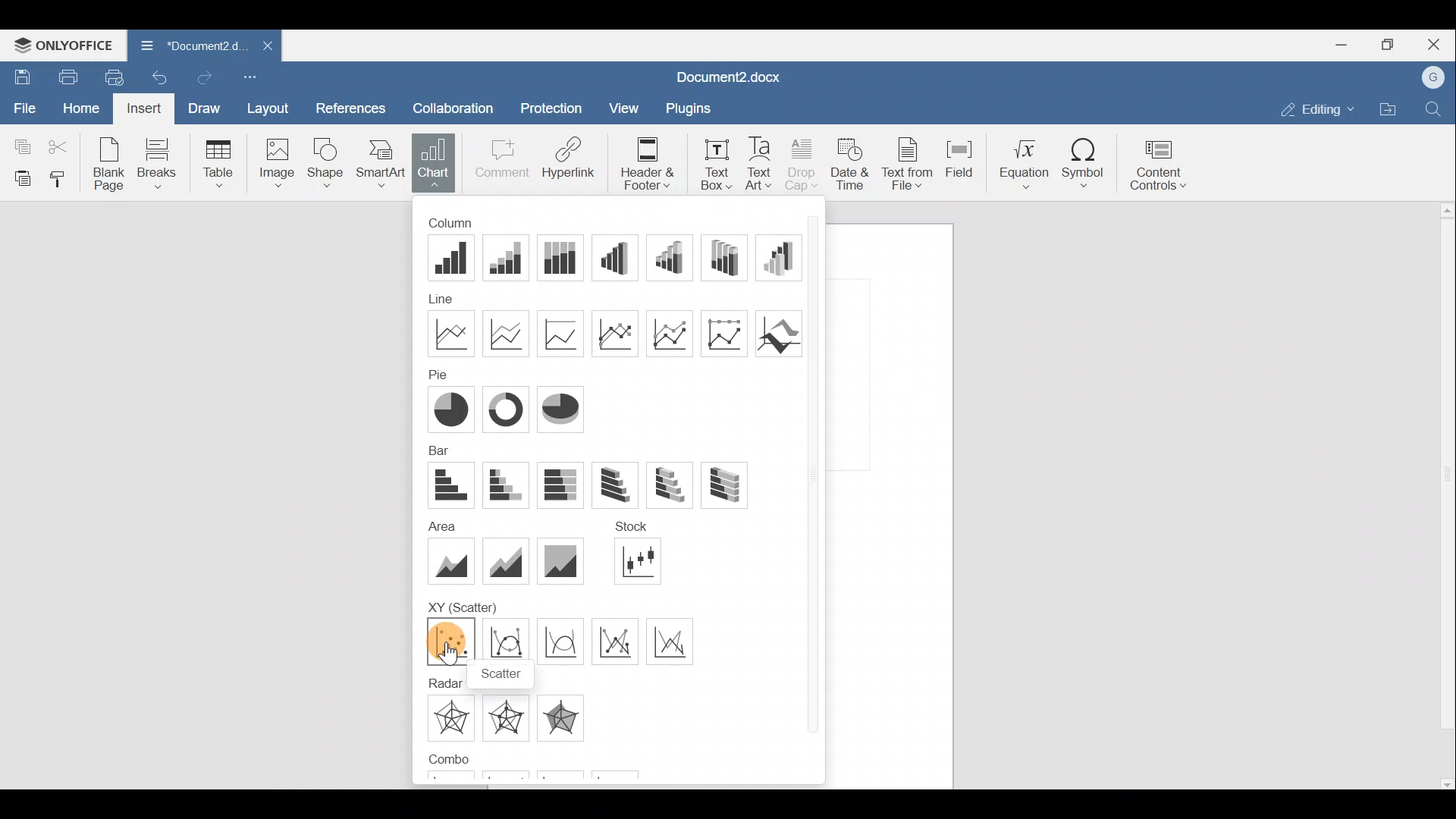  What do you see at coordinates (675, 334) in the screenshot?
I see `Stacked Line with markers` at bounding box center [675, 334].